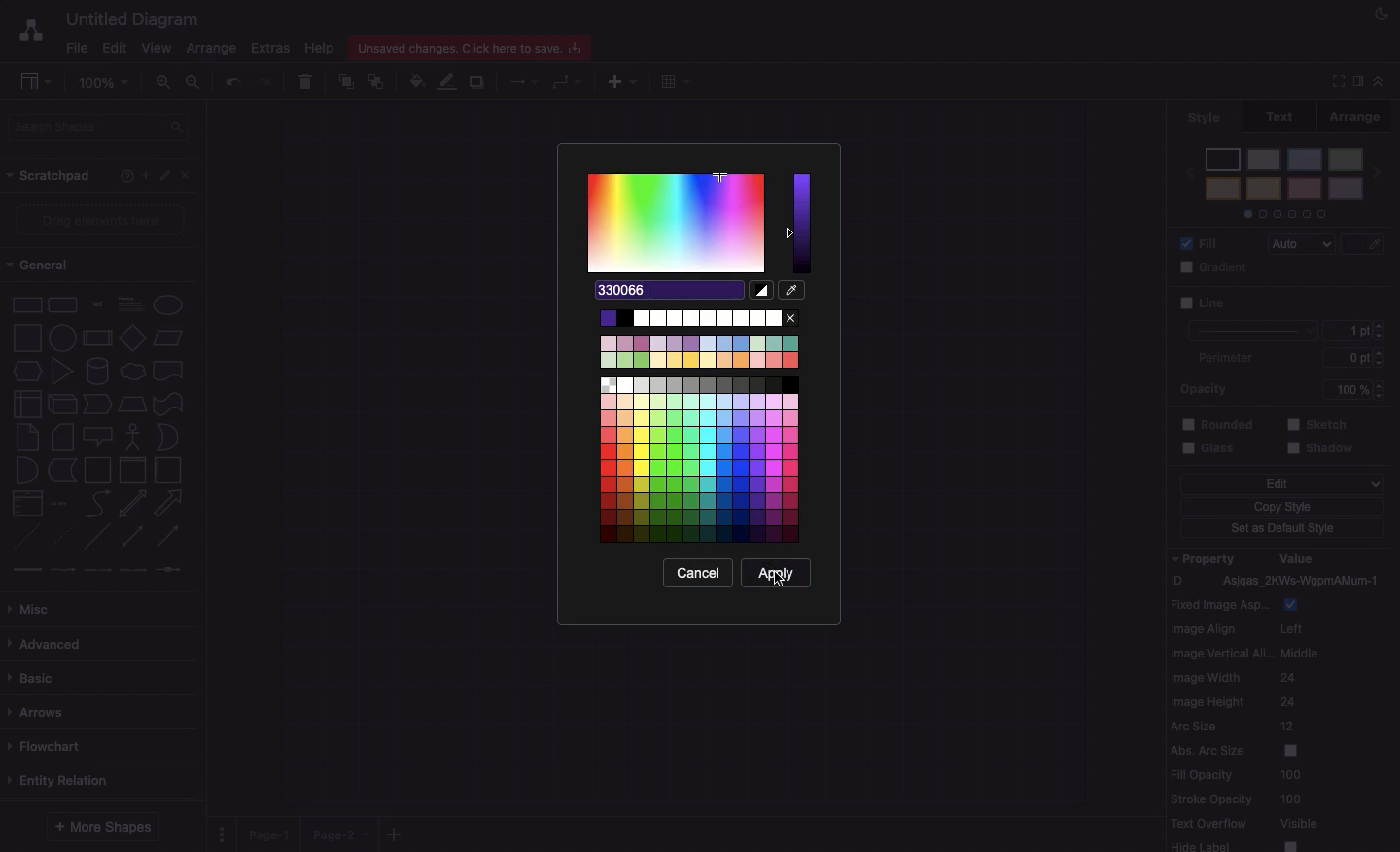  I want to click on Waypoints, so click(569, 83).